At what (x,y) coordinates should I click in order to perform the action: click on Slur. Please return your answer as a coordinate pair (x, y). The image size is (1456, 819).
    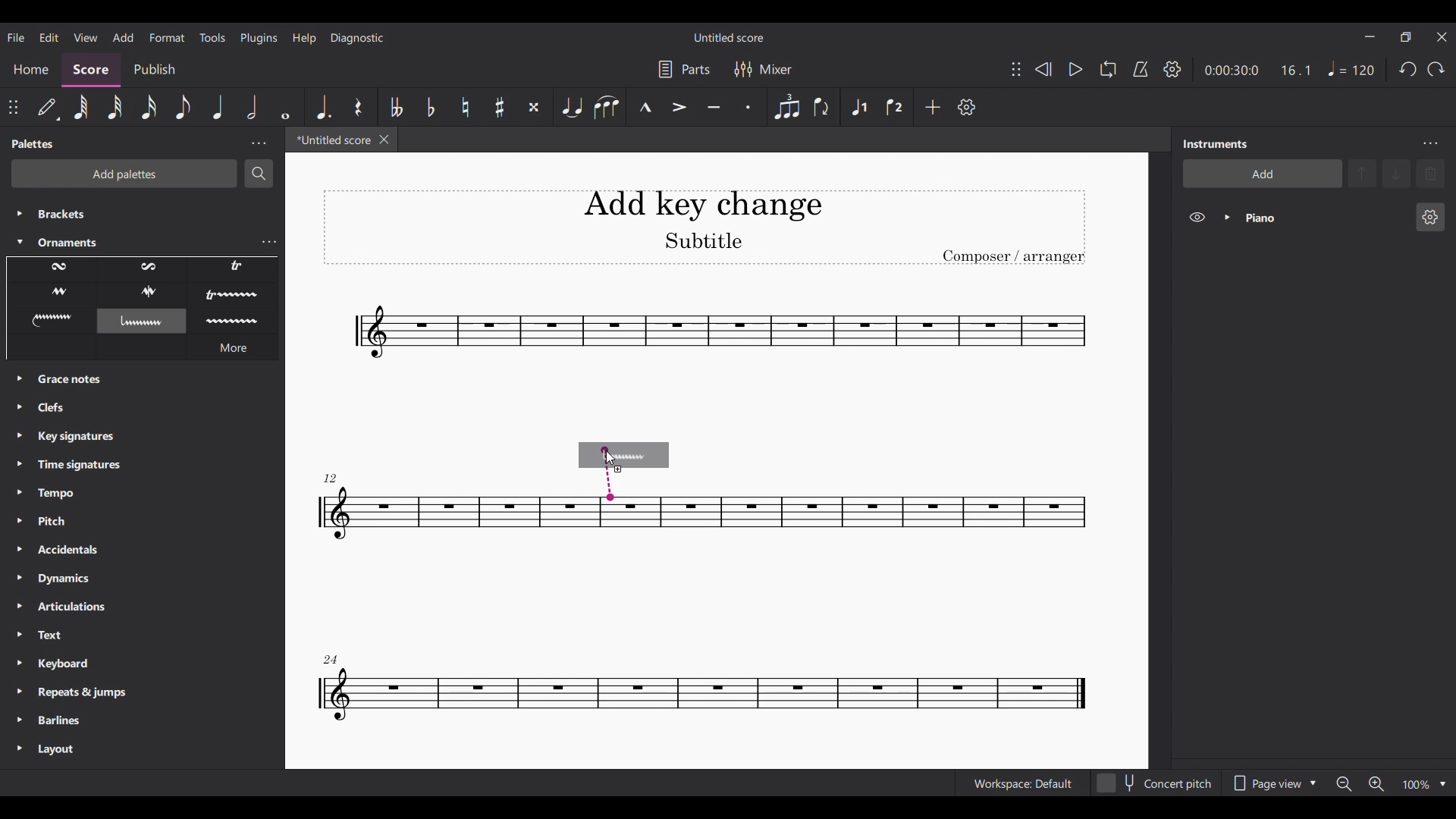
    Looking at the image, I should click on (606, 106).